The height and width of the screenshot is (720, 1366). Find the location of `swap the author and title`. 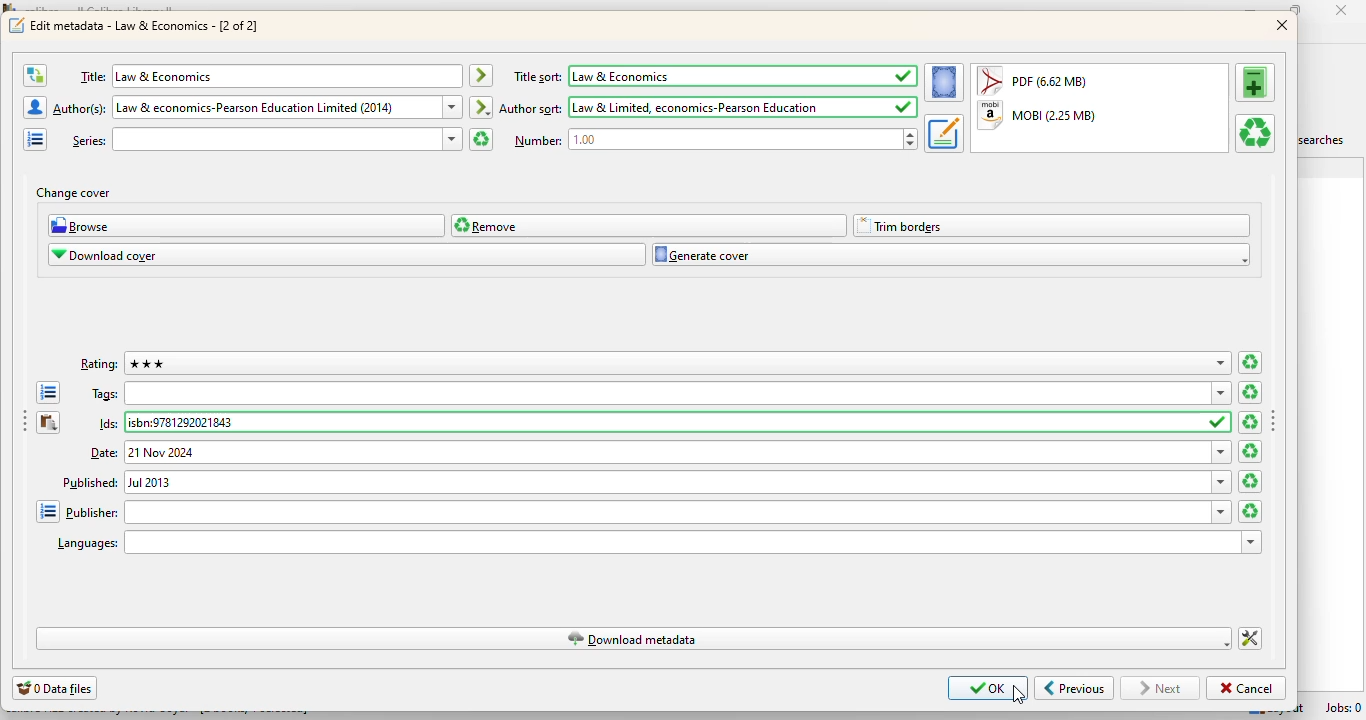

swap the author and title is located at coordinates (34, 75).